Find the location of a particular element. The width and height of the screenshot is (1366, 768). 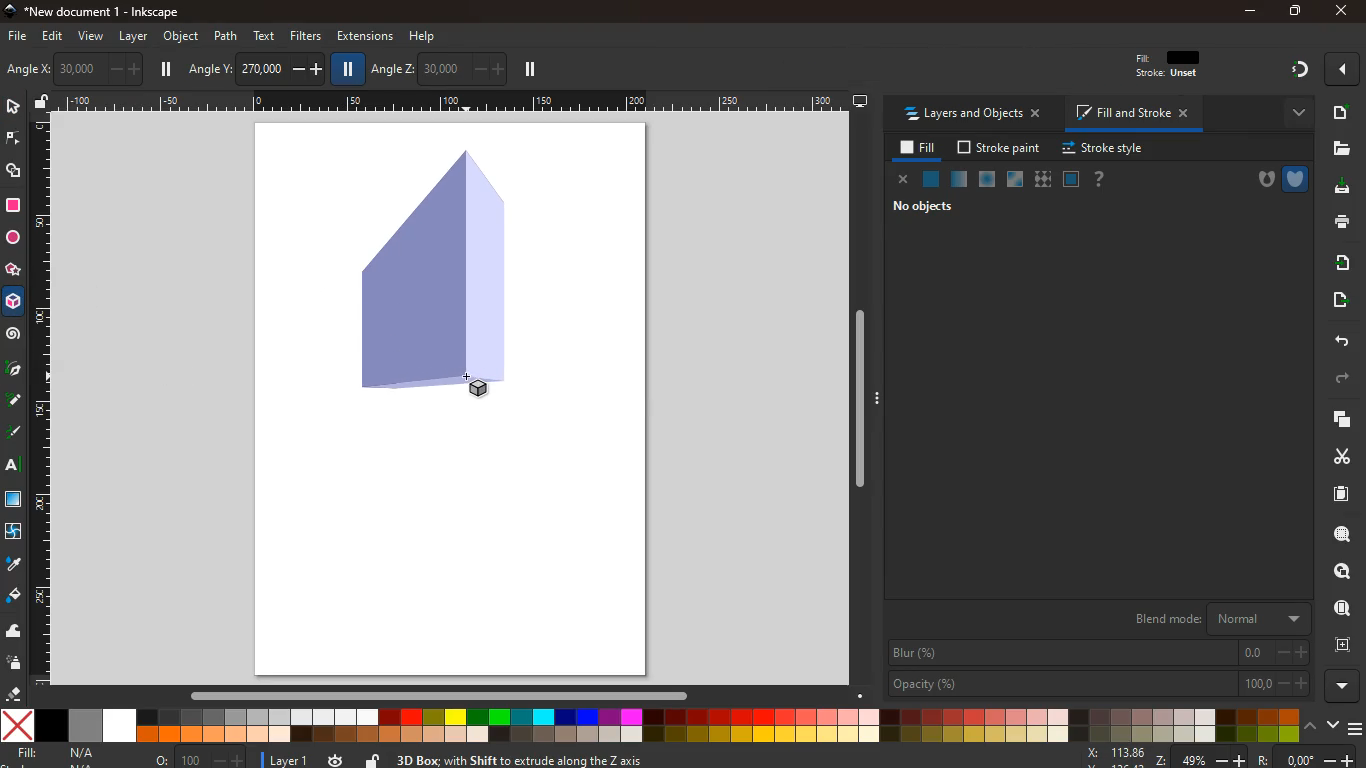

Expand is located at coordinates (879, 397).